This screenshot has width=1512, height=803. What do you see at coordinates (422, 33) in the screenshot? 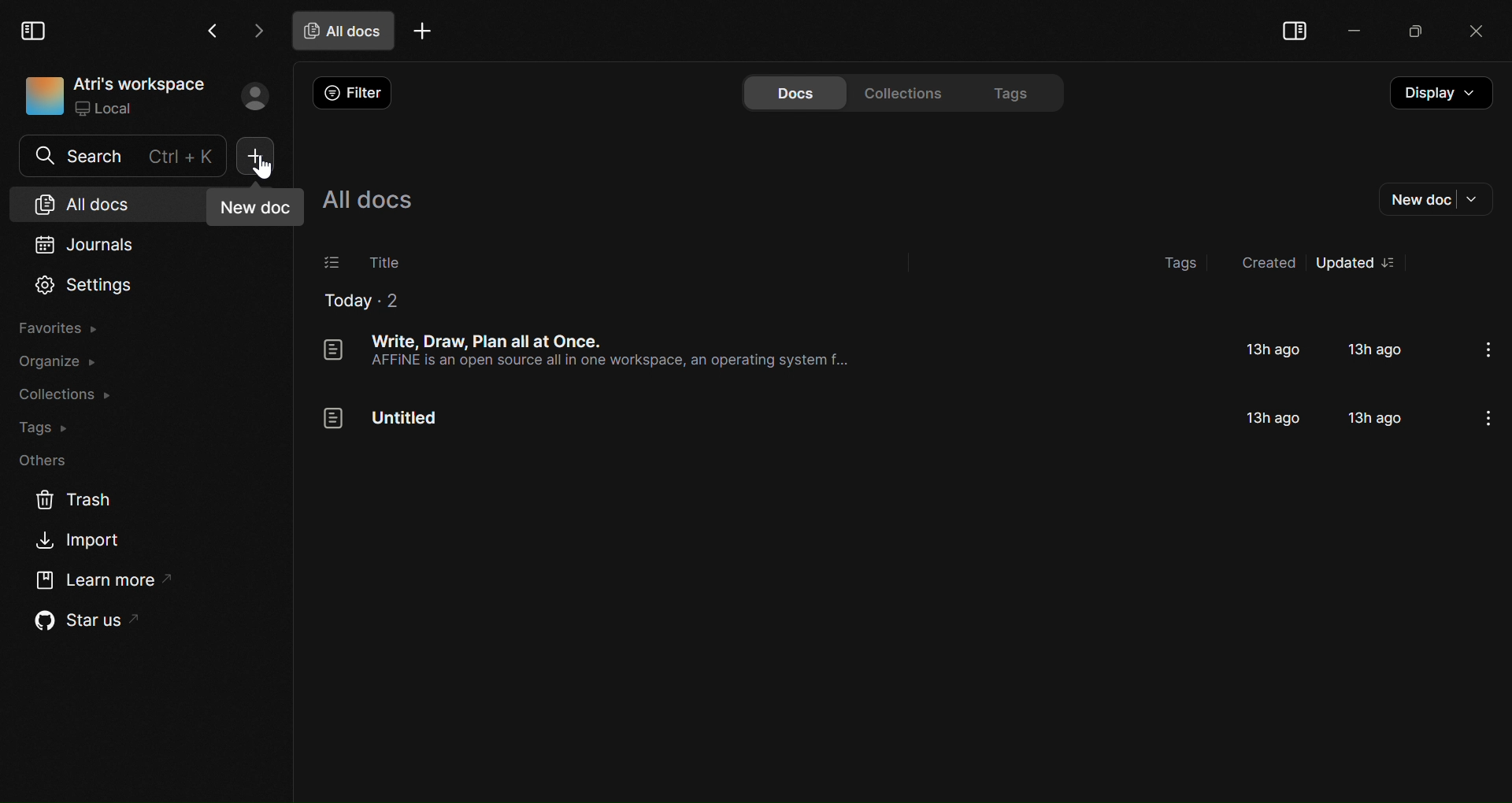
I see `Add tab` at bounding box center [422, 33].